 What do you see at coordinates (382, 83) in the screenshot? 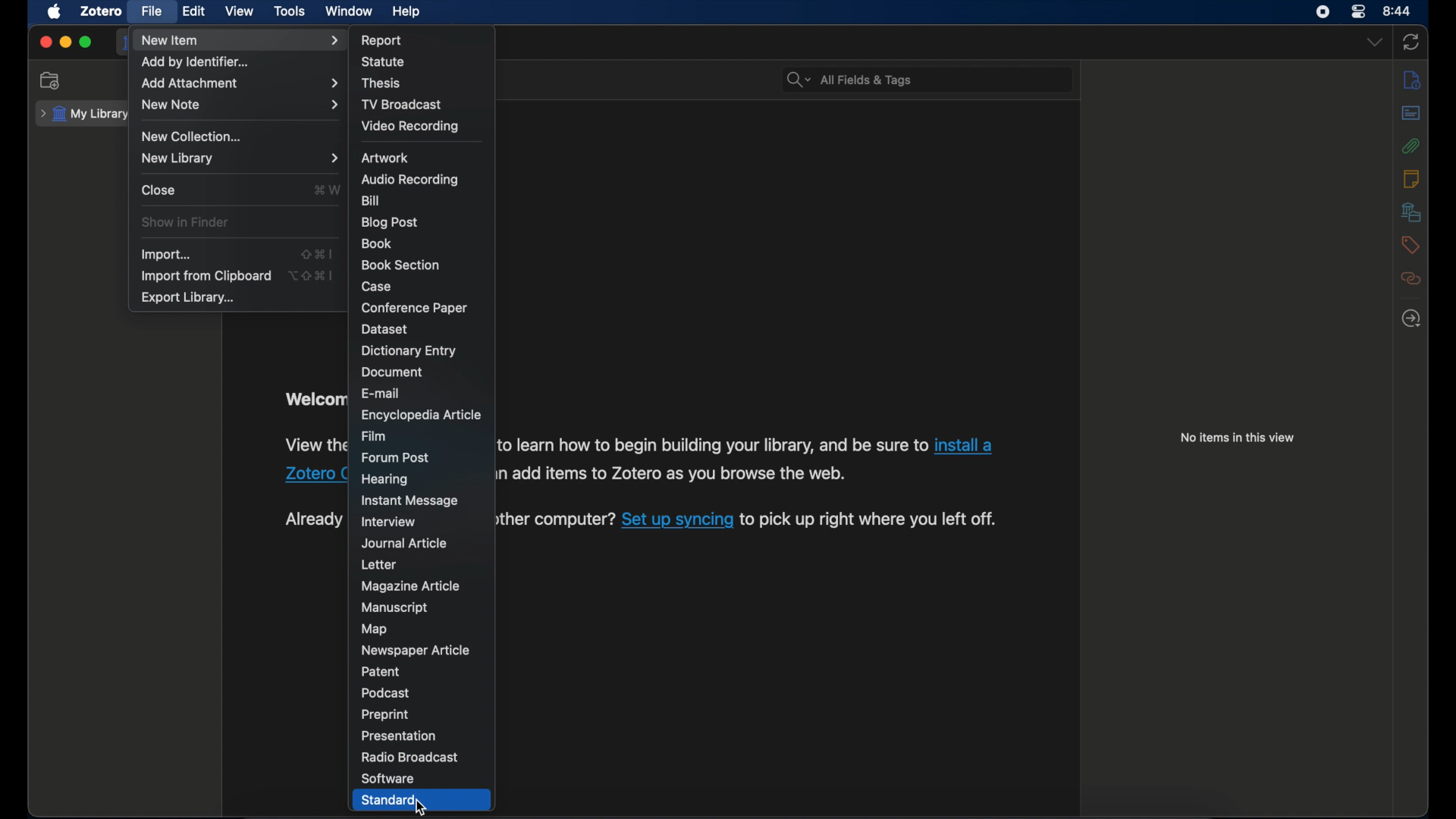
I see `thesis` at bounding box center [382, 83].